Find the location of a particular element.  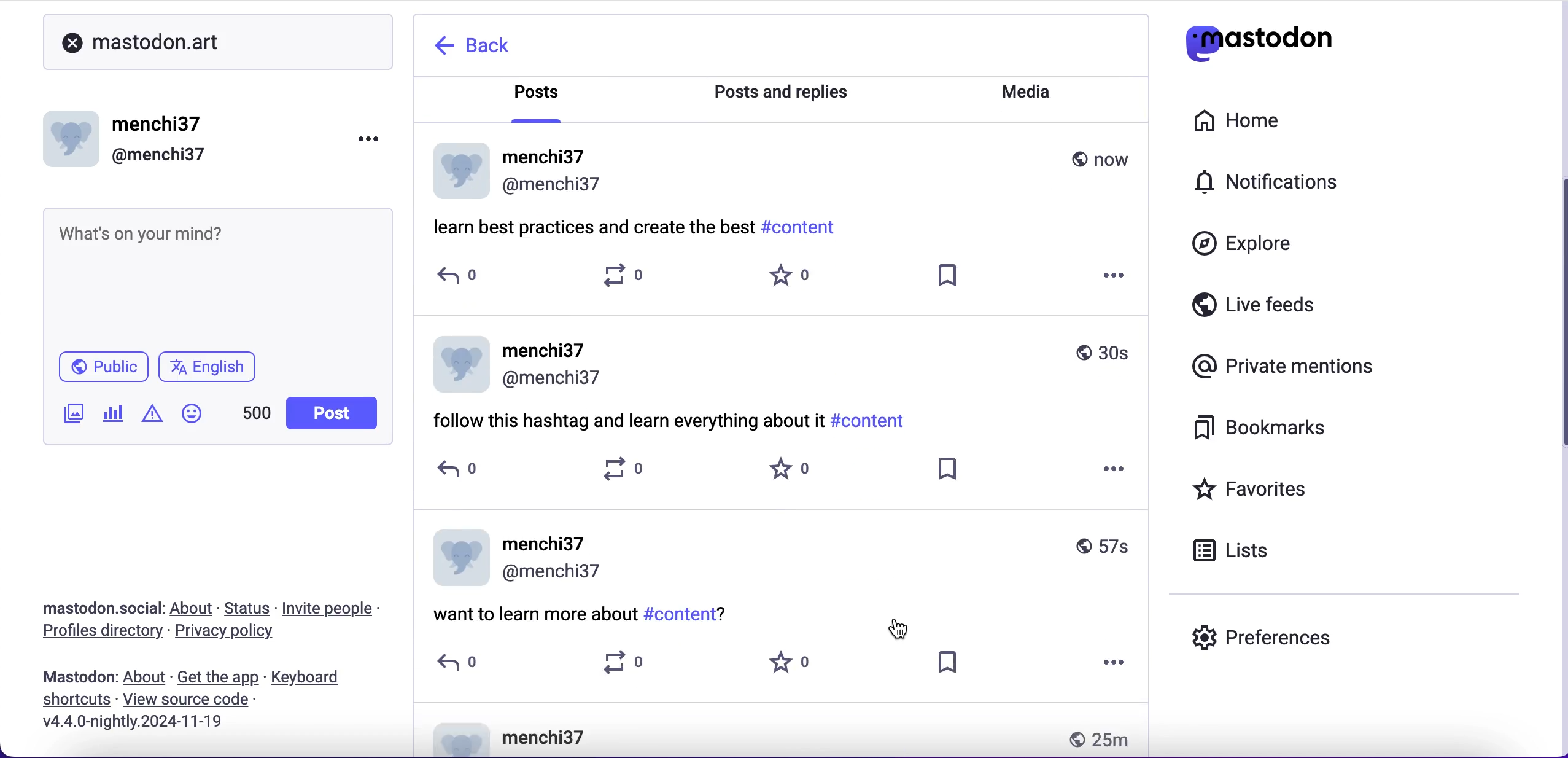

lists is located at coordinates (1241, 554).